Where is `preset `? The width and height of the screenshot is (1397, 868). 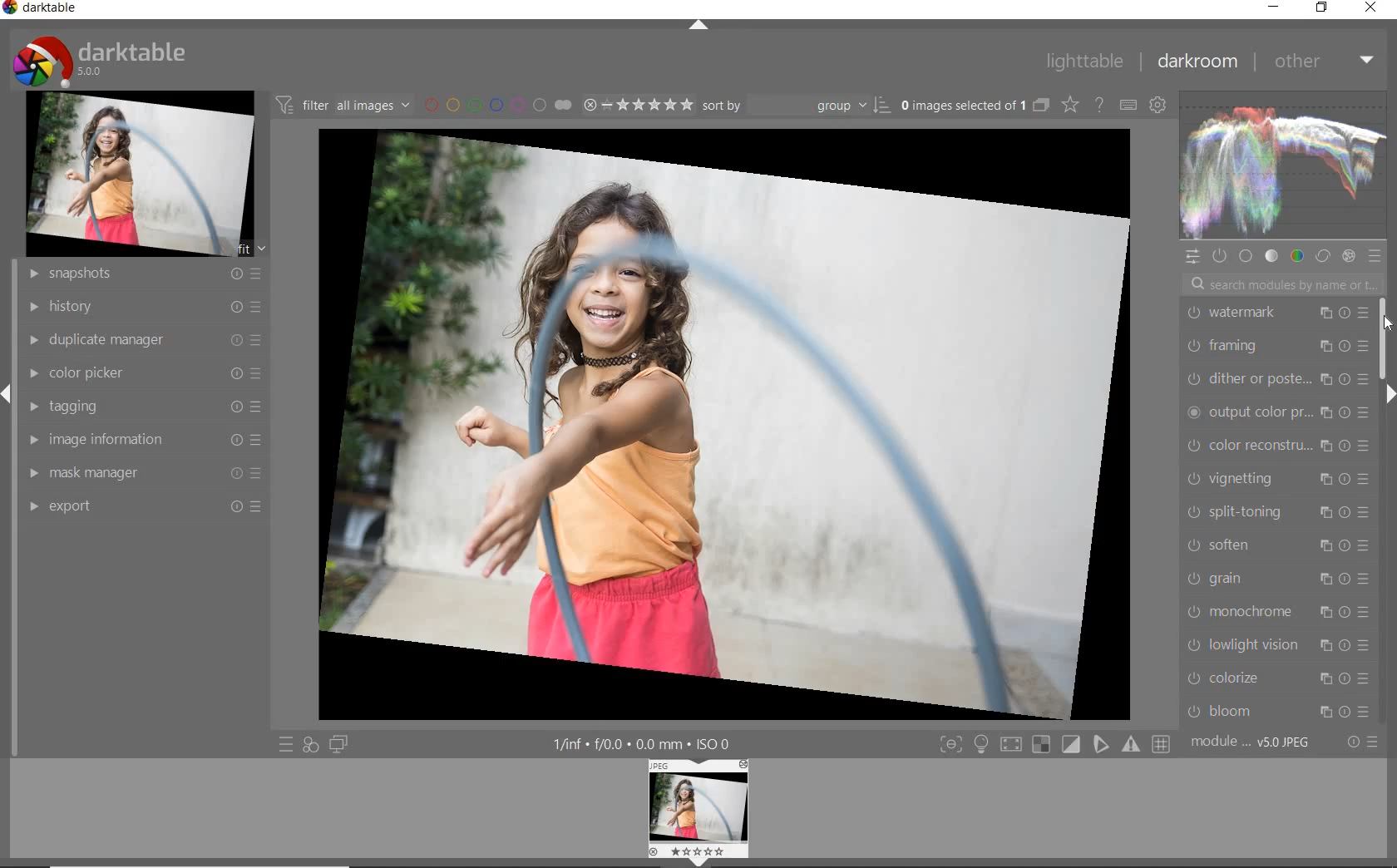 preset  is located at coordinates (1375, 258).